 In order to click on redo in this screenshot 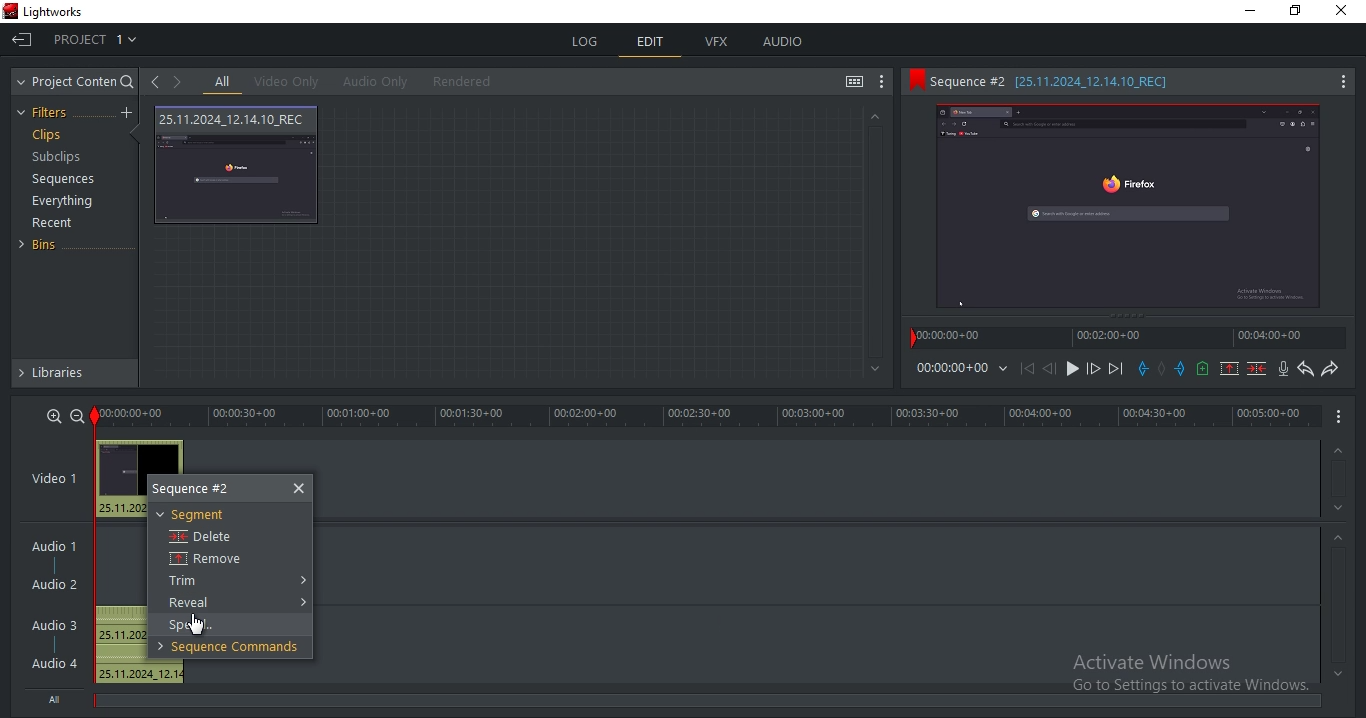, I will do `click(1330, 370)`.